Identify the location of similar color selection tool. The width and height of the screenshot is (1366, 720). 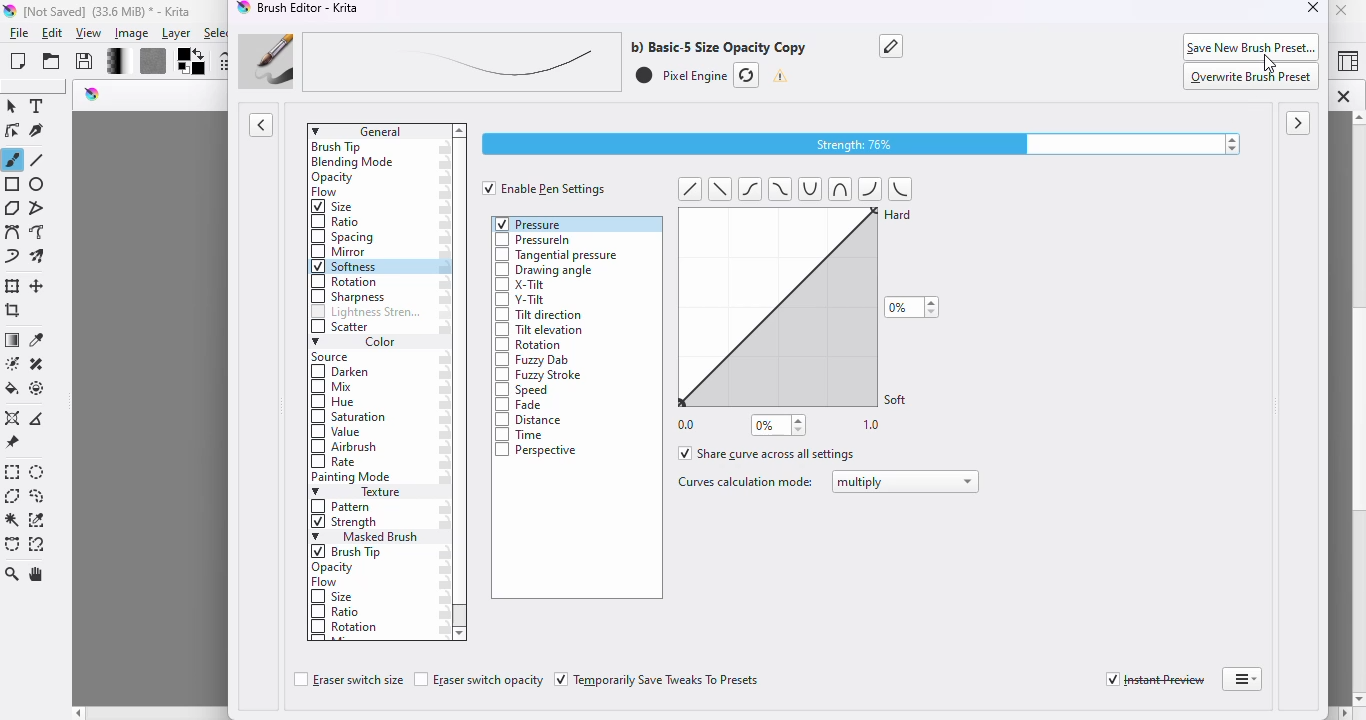
(38, 520).